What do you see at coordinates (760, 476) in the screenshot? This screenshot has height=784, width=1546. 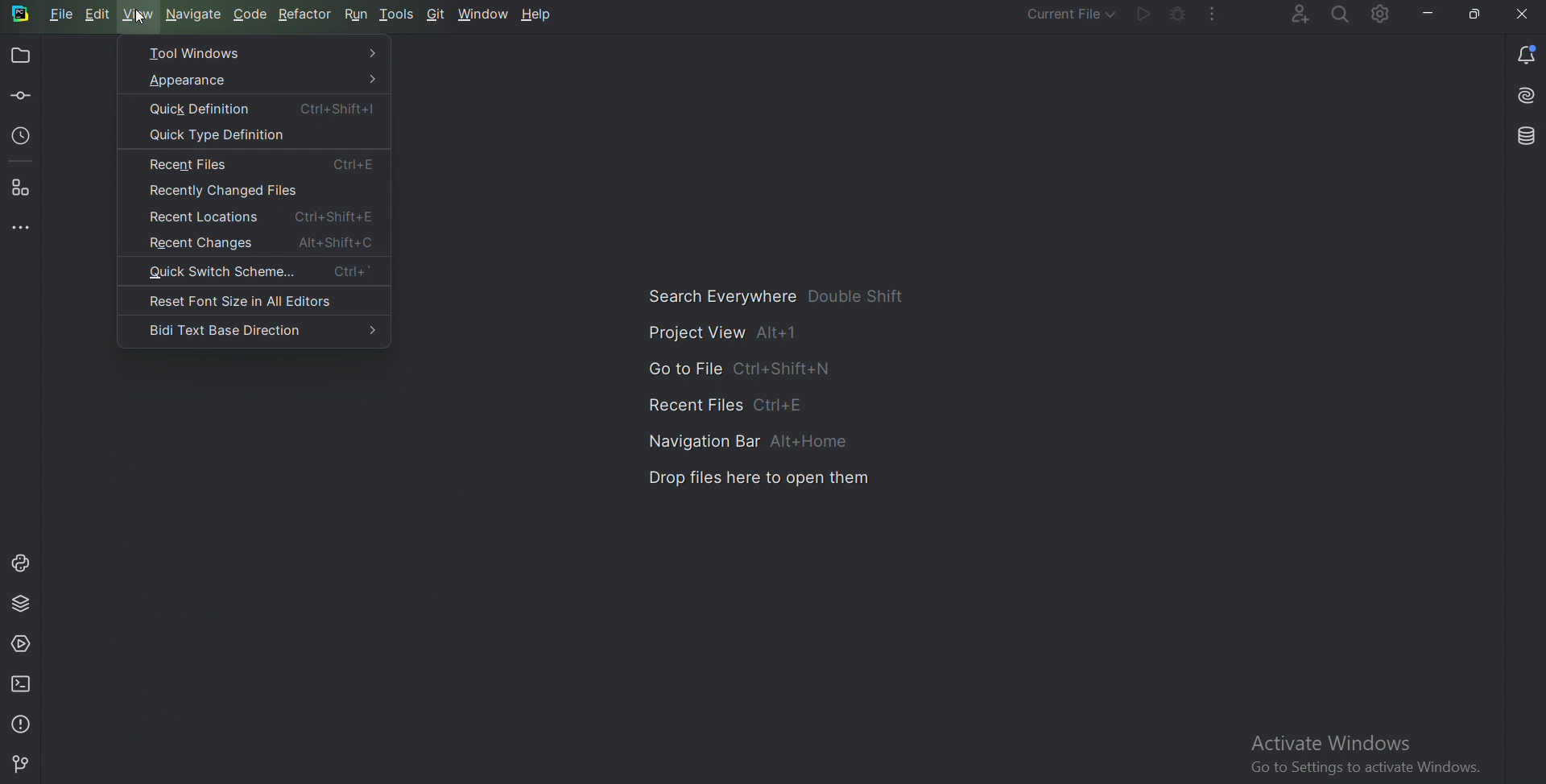 I see `Drop files here to open them` at bounding box center [760, 476].